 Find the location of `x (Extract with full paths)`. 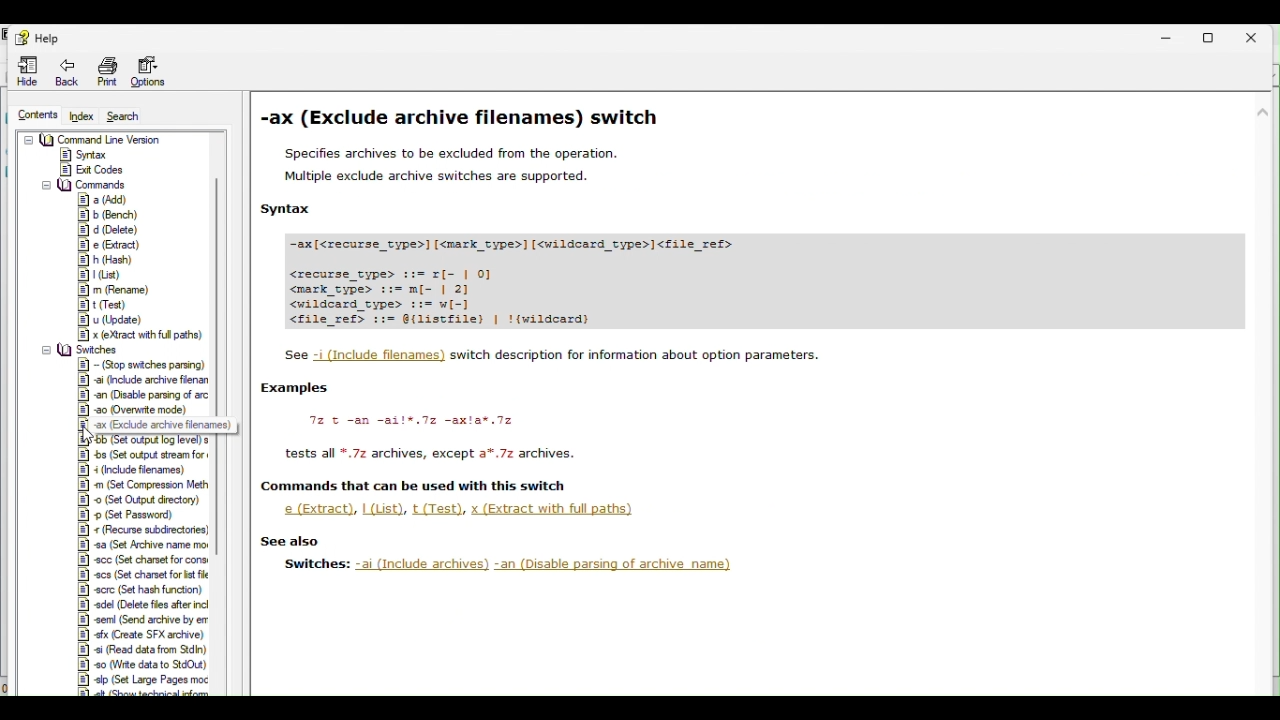

x (Extract with full paths) is located at coordinates (555, 511).